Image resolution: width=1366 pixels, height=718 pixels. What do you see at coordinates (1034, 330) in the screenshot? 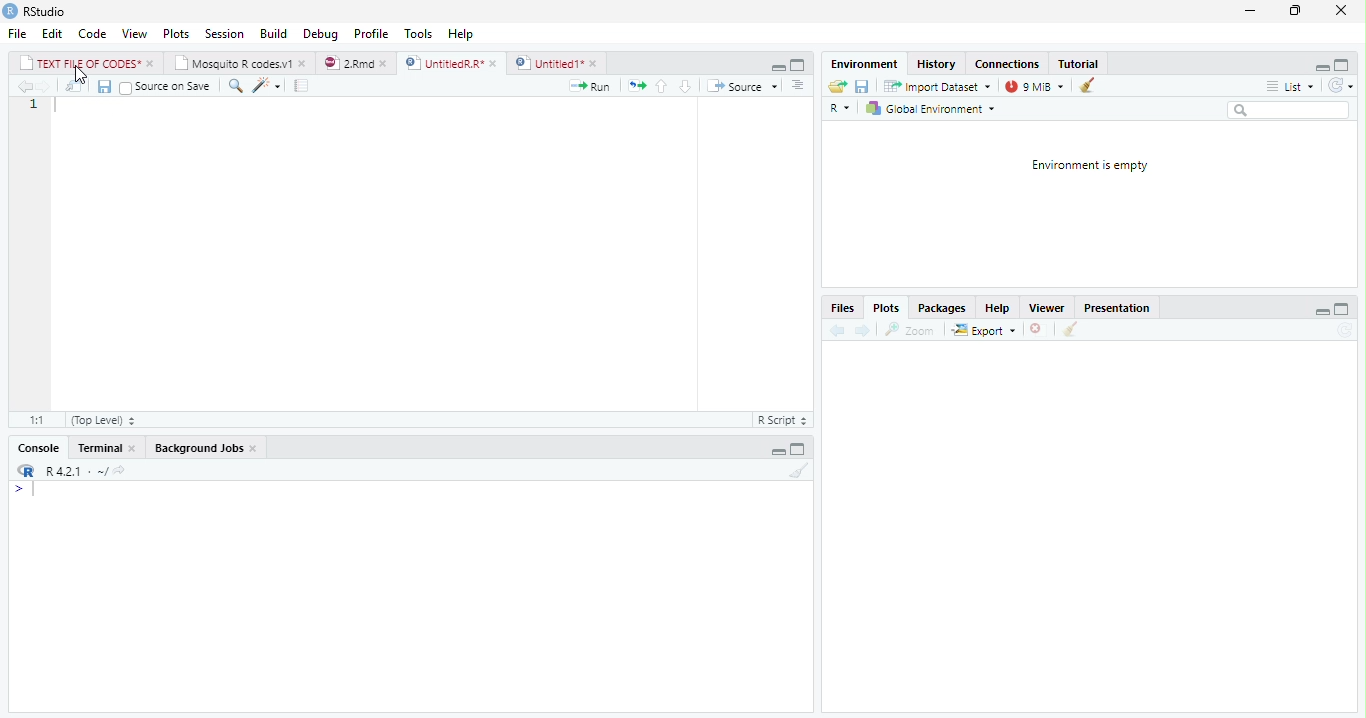
I see `clear current plot` at bounding box center [1034, 330].